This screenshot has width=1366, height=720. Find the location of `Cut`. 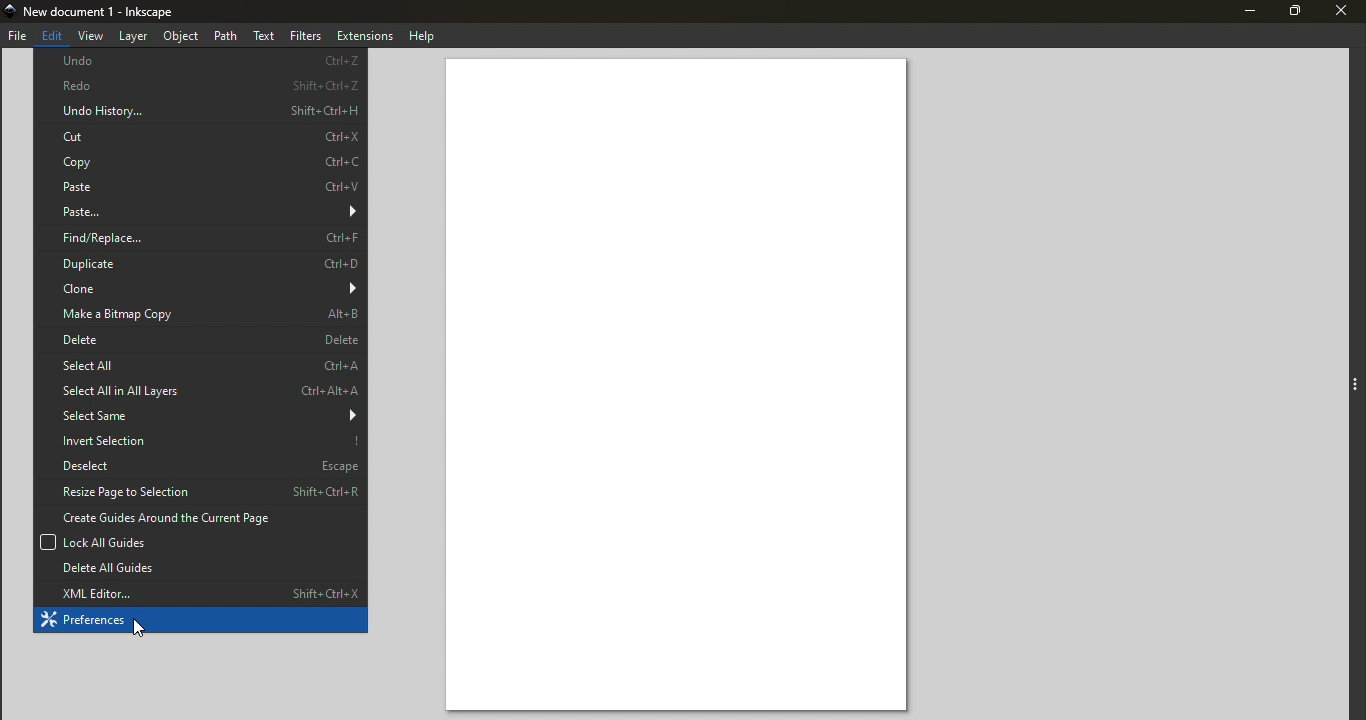

Cut is located at coordinates (200, 135).